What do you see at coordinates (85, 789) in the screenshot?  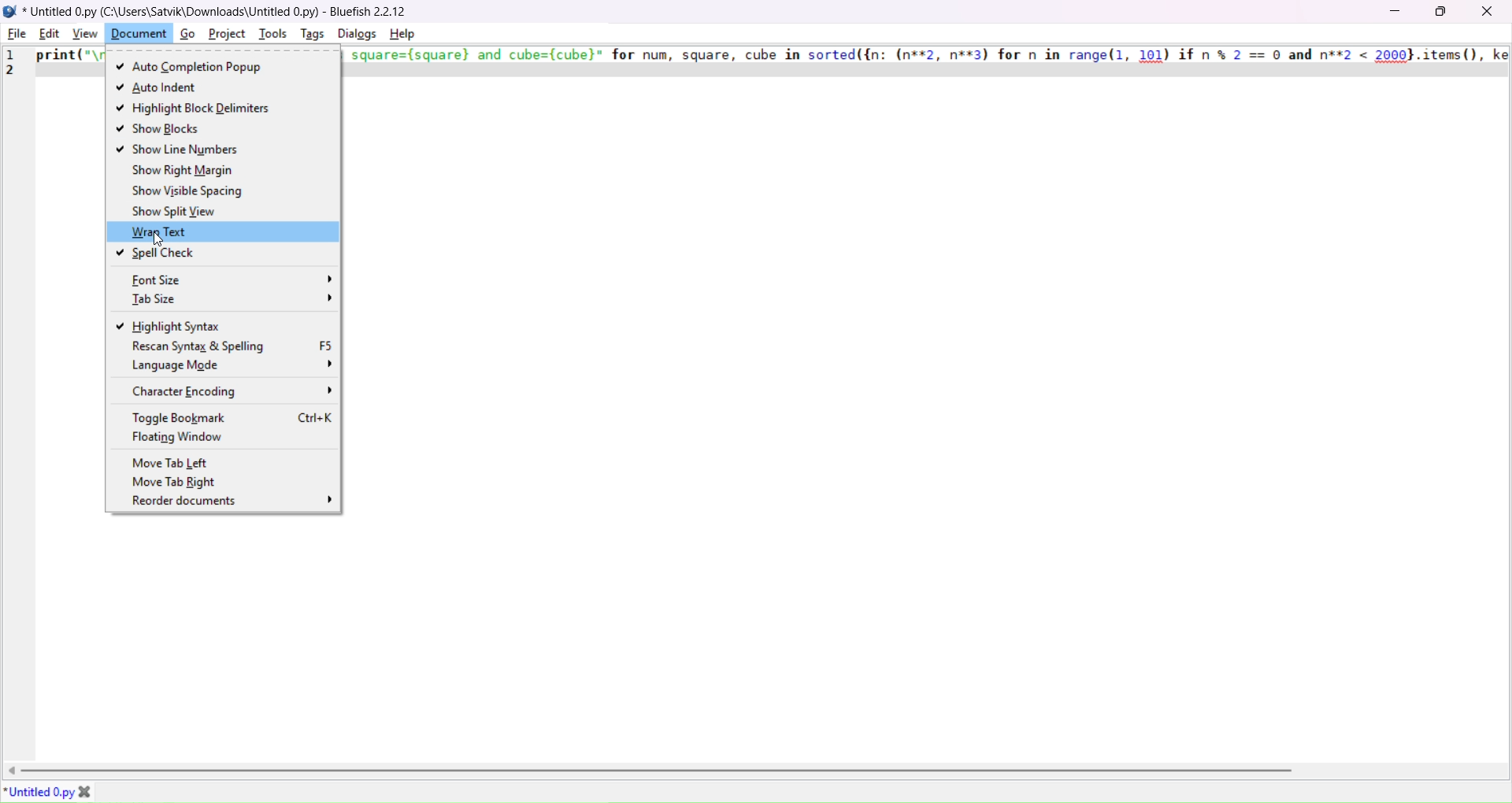 I see `close tab` at bounding box center [85, 789].